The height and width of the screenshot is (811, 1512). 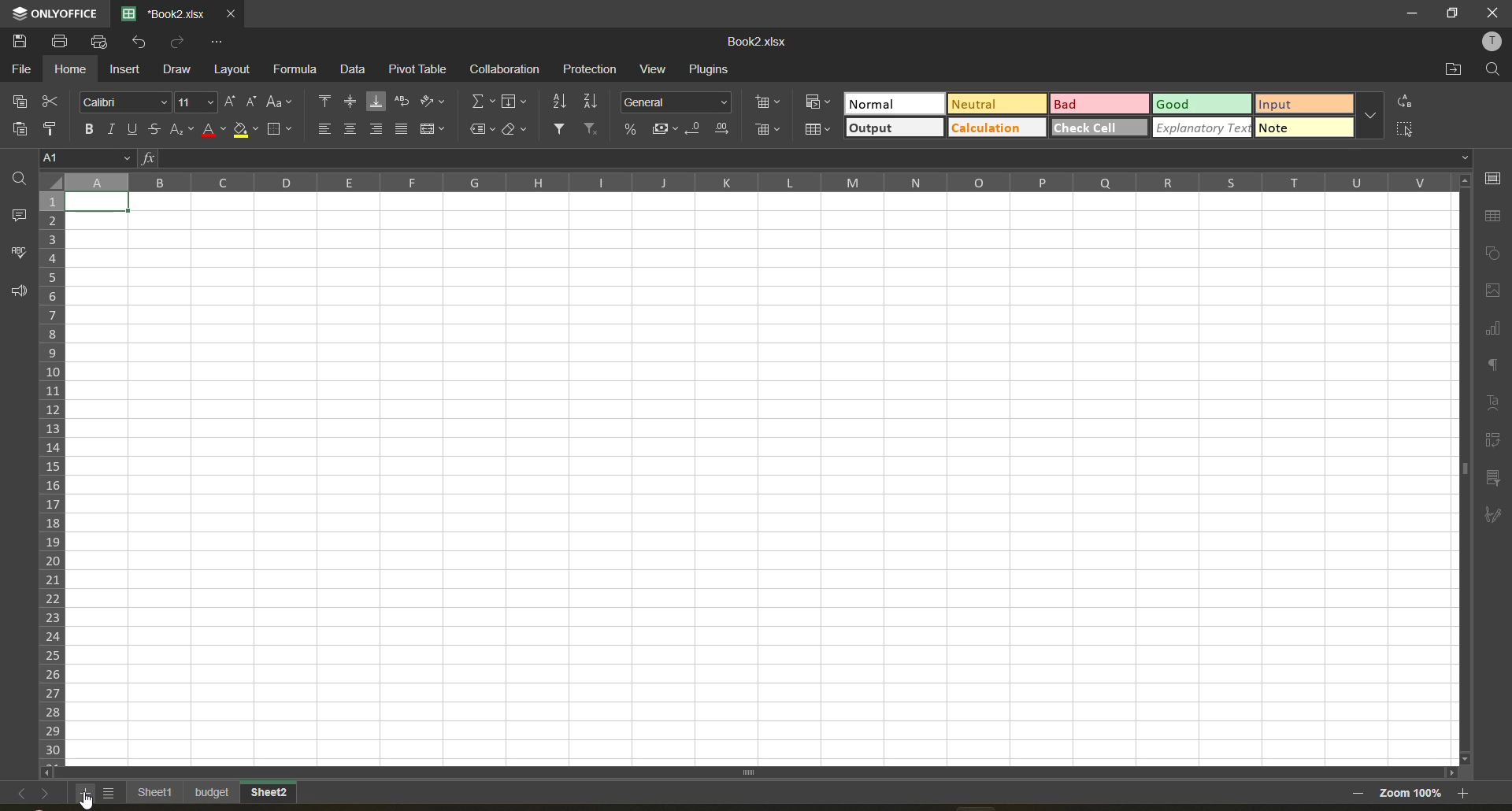 What do you see at coordinates (1098, 128) in the screenshot?
I see `check cell` at bounding box center [1098, 128].